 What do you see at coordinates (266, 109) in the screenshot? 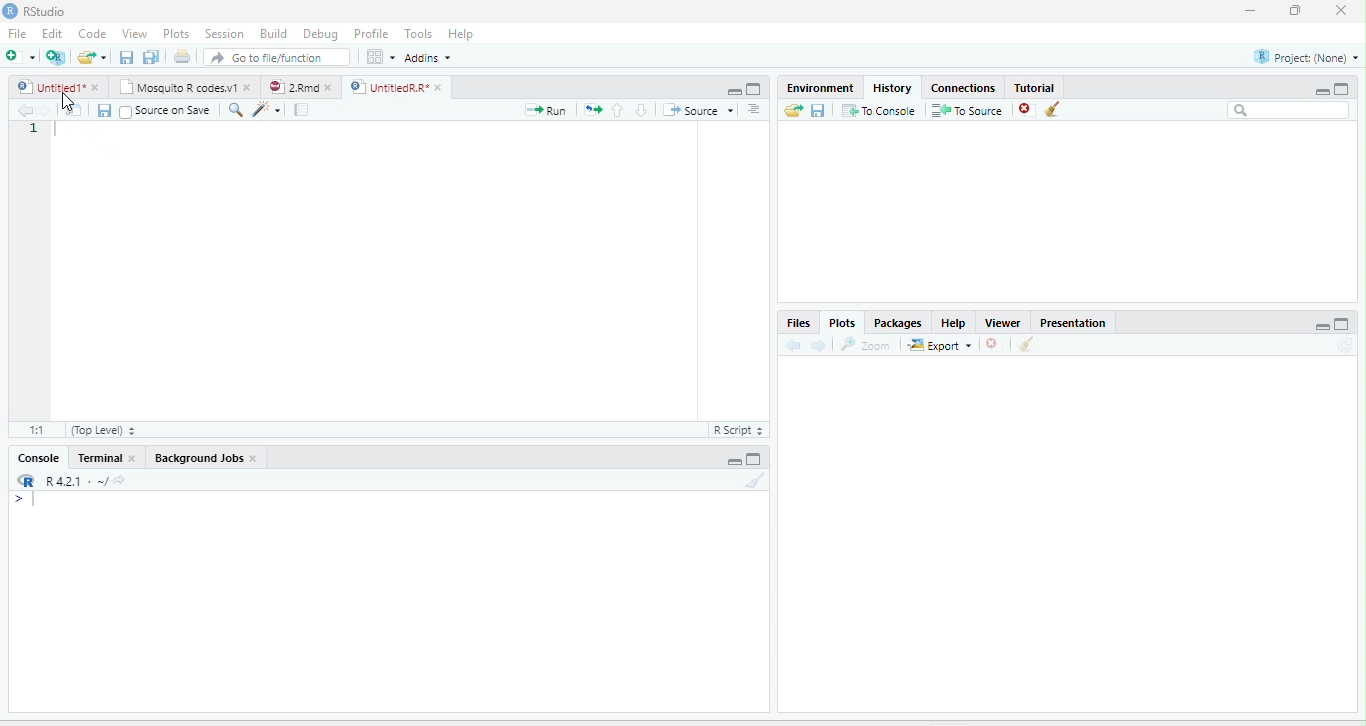
I see `Code tools` at bounding box center [266, 109].